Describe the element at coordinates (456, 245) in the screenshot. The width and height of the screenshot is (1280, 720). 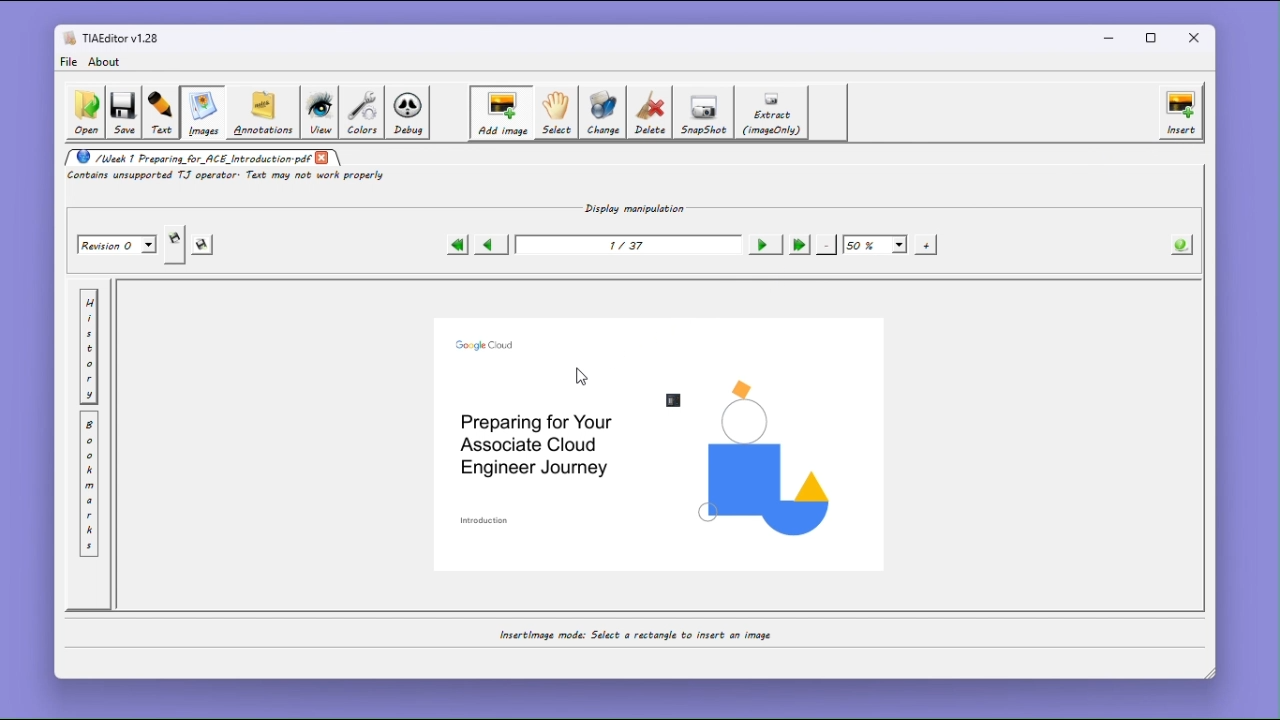
I see `First page` at that location.